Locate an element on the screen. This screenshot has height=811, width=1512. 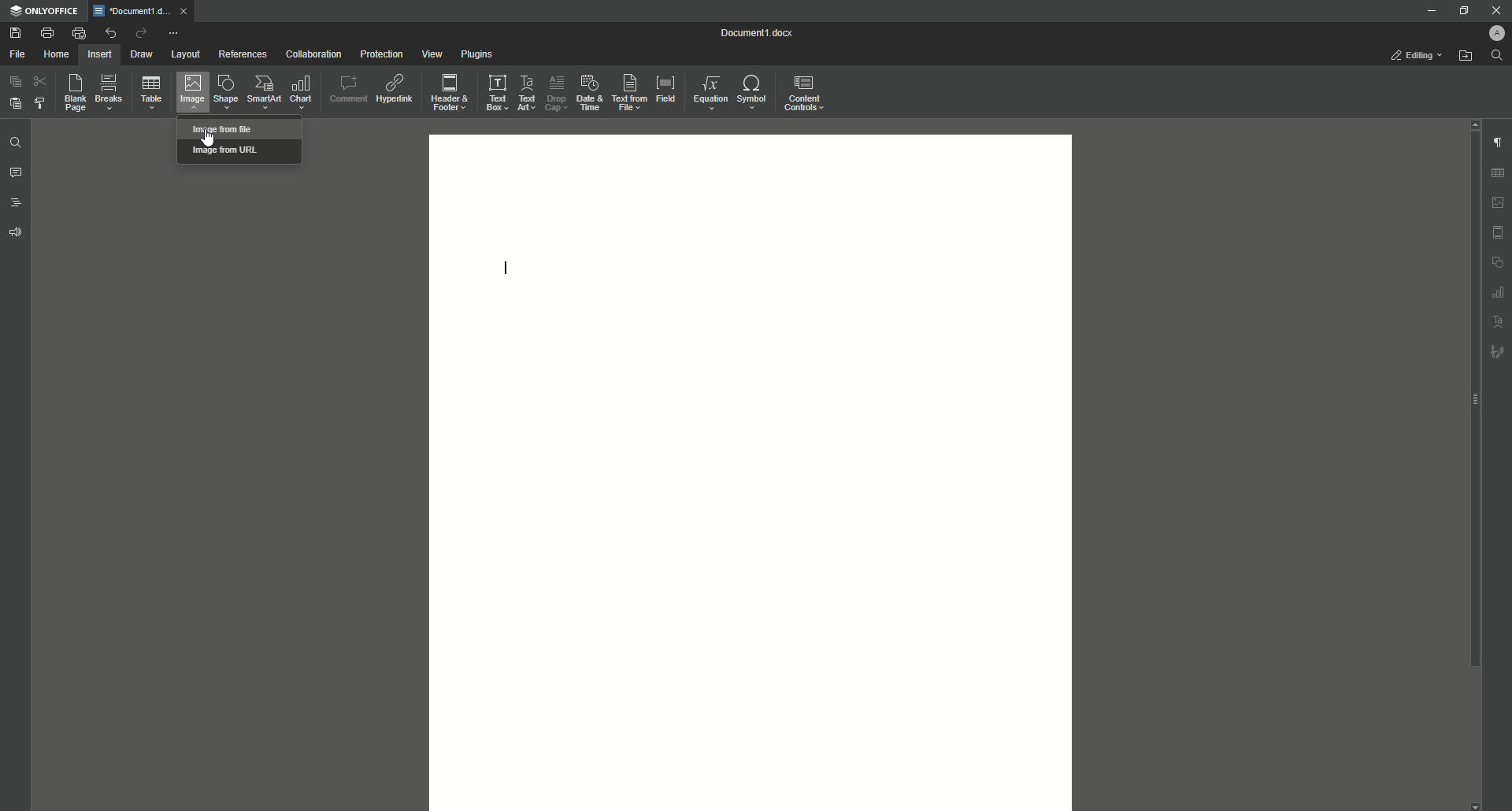
Text Art is located at coordinates (522, 91).